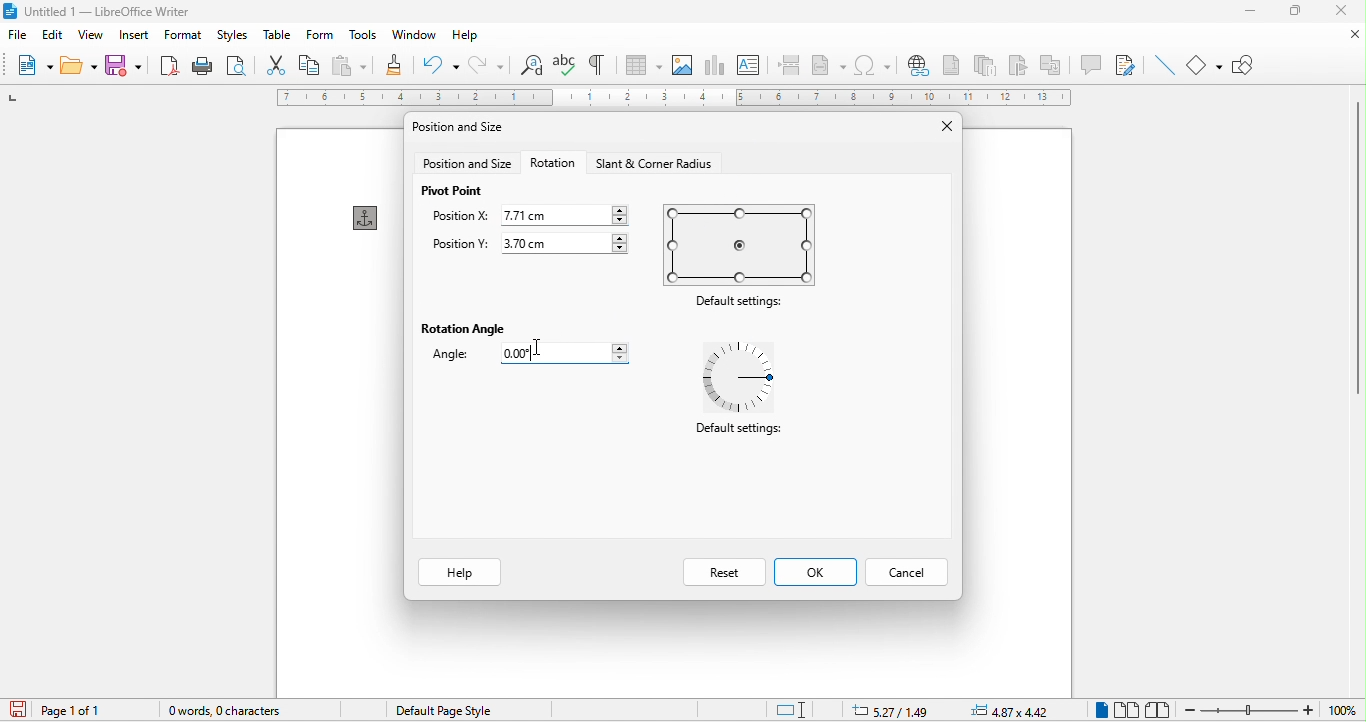 This screenshot has width=1366, height=722. I want to click on close, so click(937, 125).